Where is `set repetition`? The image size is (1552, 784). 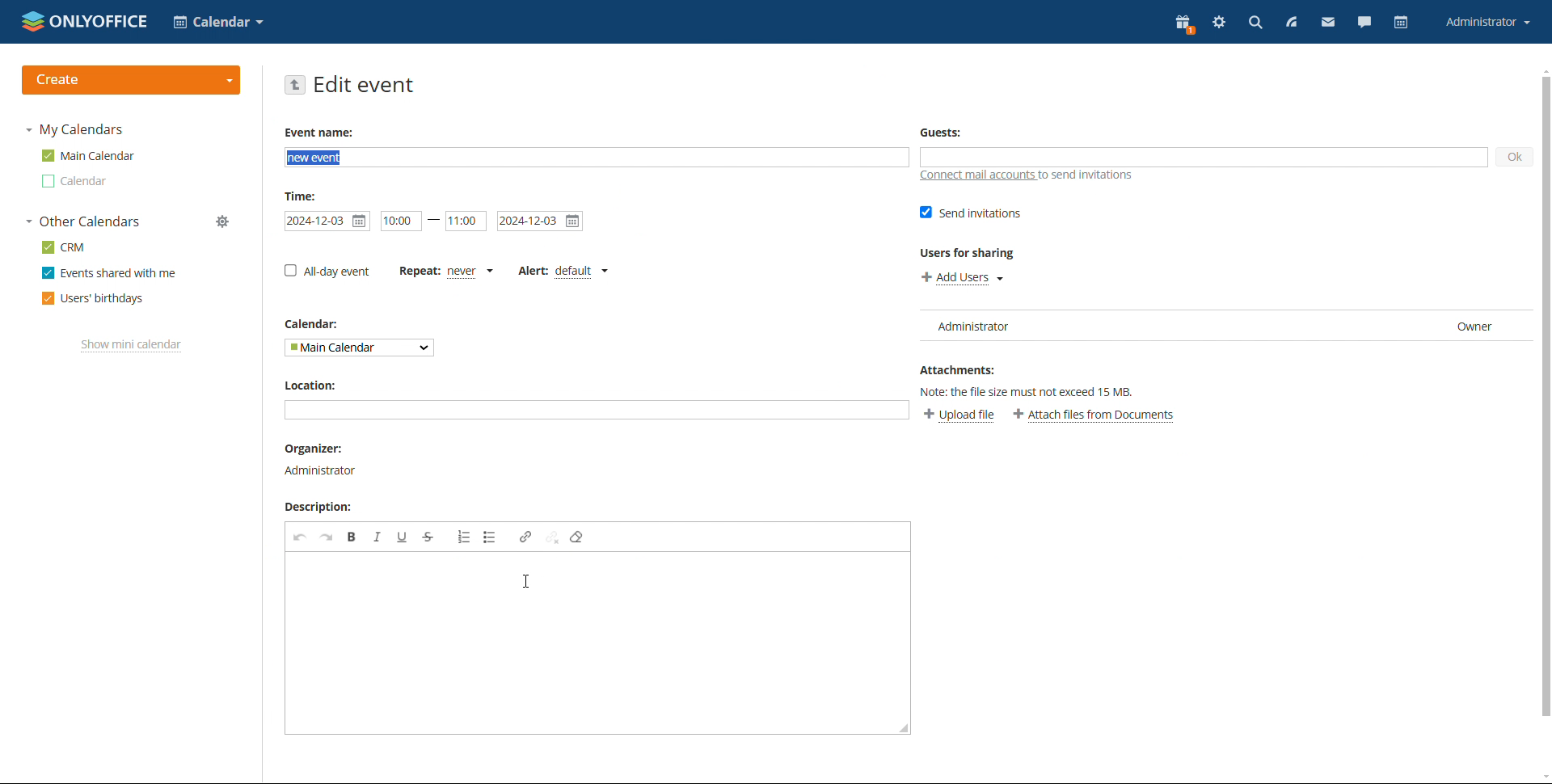
set repetition is located at coordinates (445, 273).